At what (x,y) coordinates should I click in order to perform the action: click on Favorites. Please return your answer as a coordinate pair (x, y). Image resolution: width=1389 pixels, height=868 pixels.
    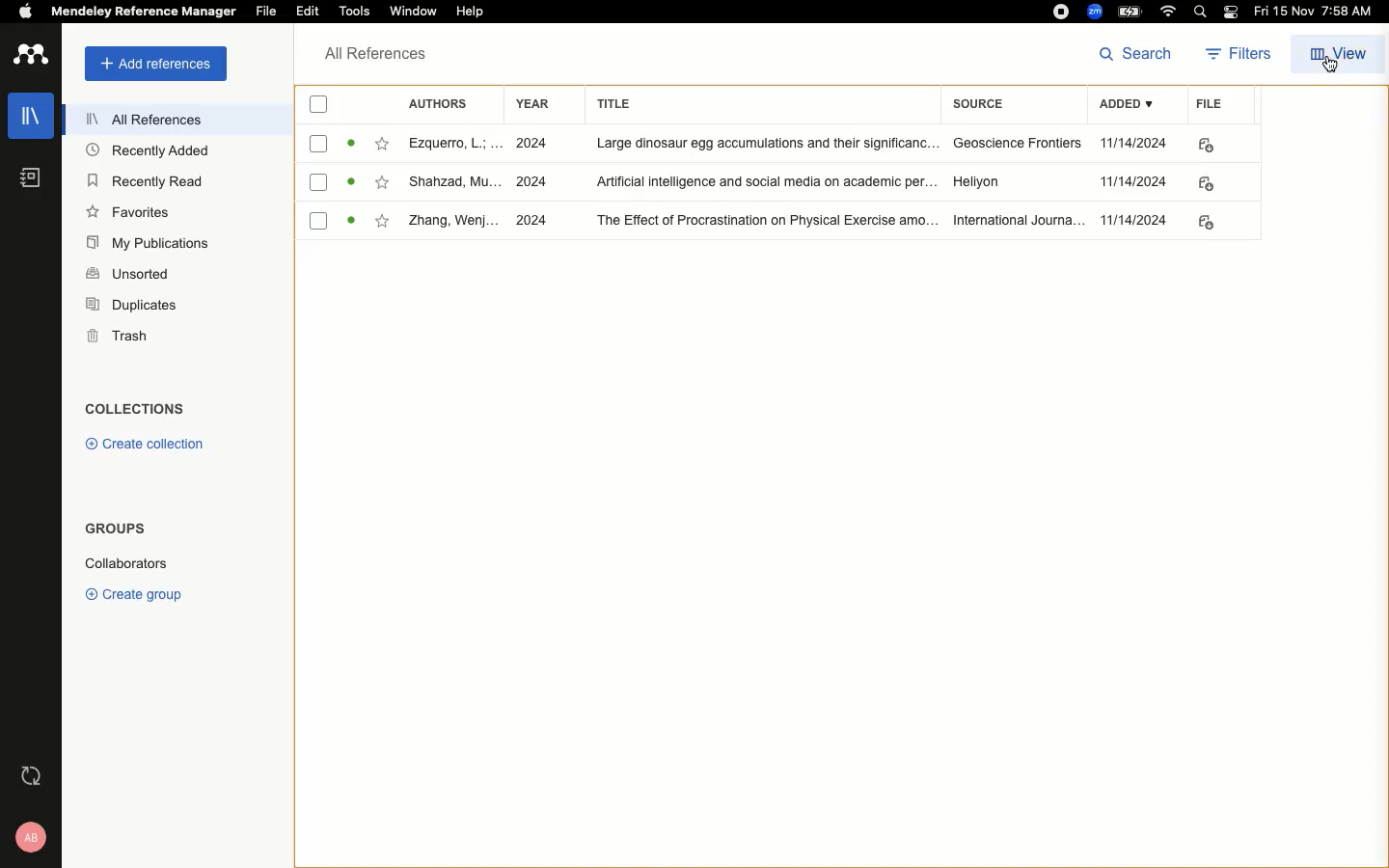
    Looking at the image, I should click on (386, 225).